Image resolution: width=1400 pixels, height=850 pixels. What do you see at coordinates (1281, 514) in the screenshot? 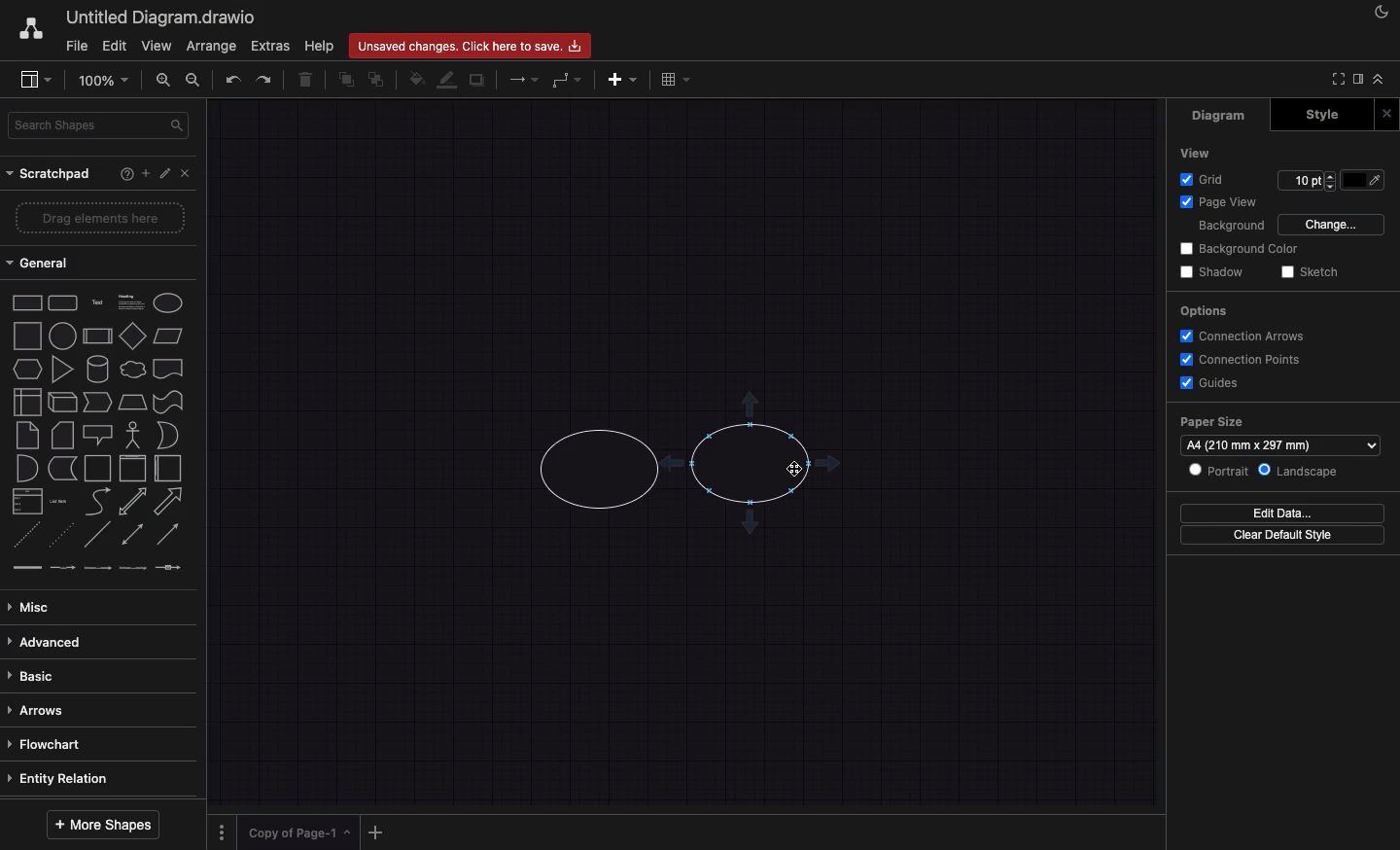
I see `edit data` at bounding box center [1281, 514].